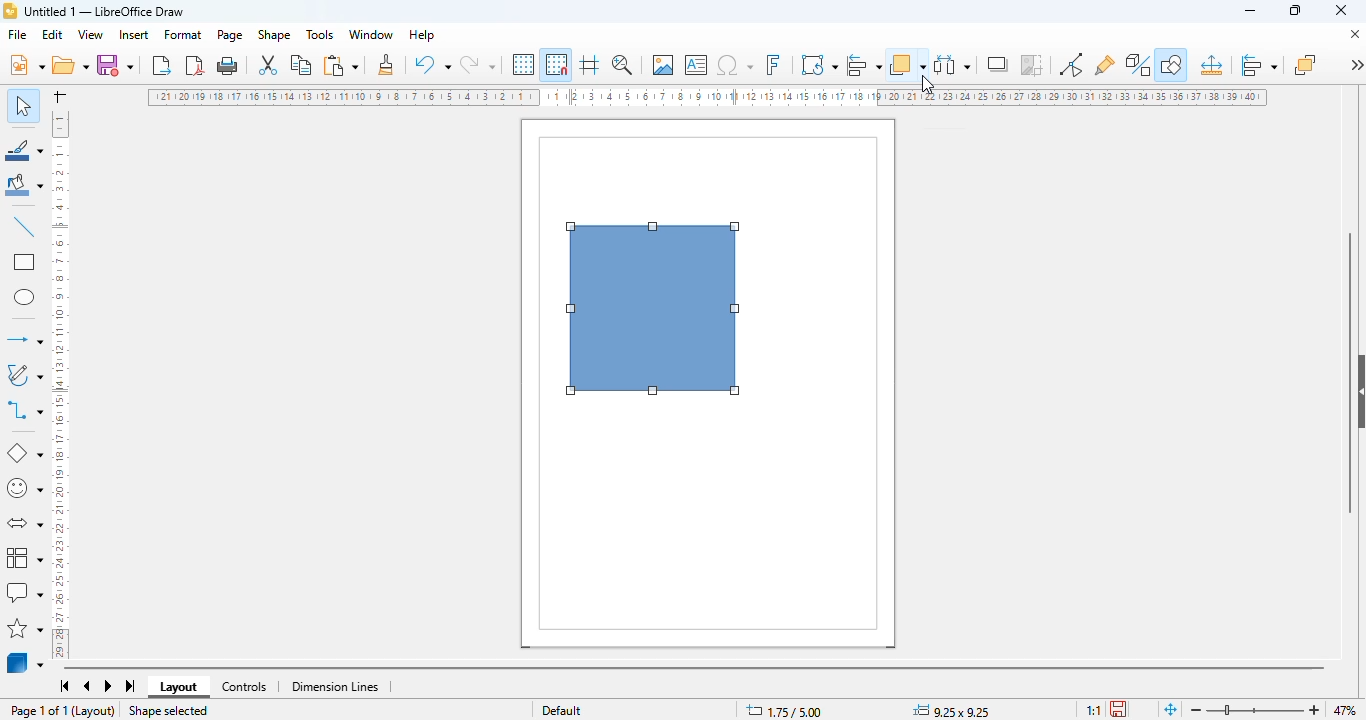 The height and width of the screenshot is (720, 1366). What do you see at coordinates (1118, 708) in the screenshot?
I see `click to save the document` at bounding box center [1118, 708].